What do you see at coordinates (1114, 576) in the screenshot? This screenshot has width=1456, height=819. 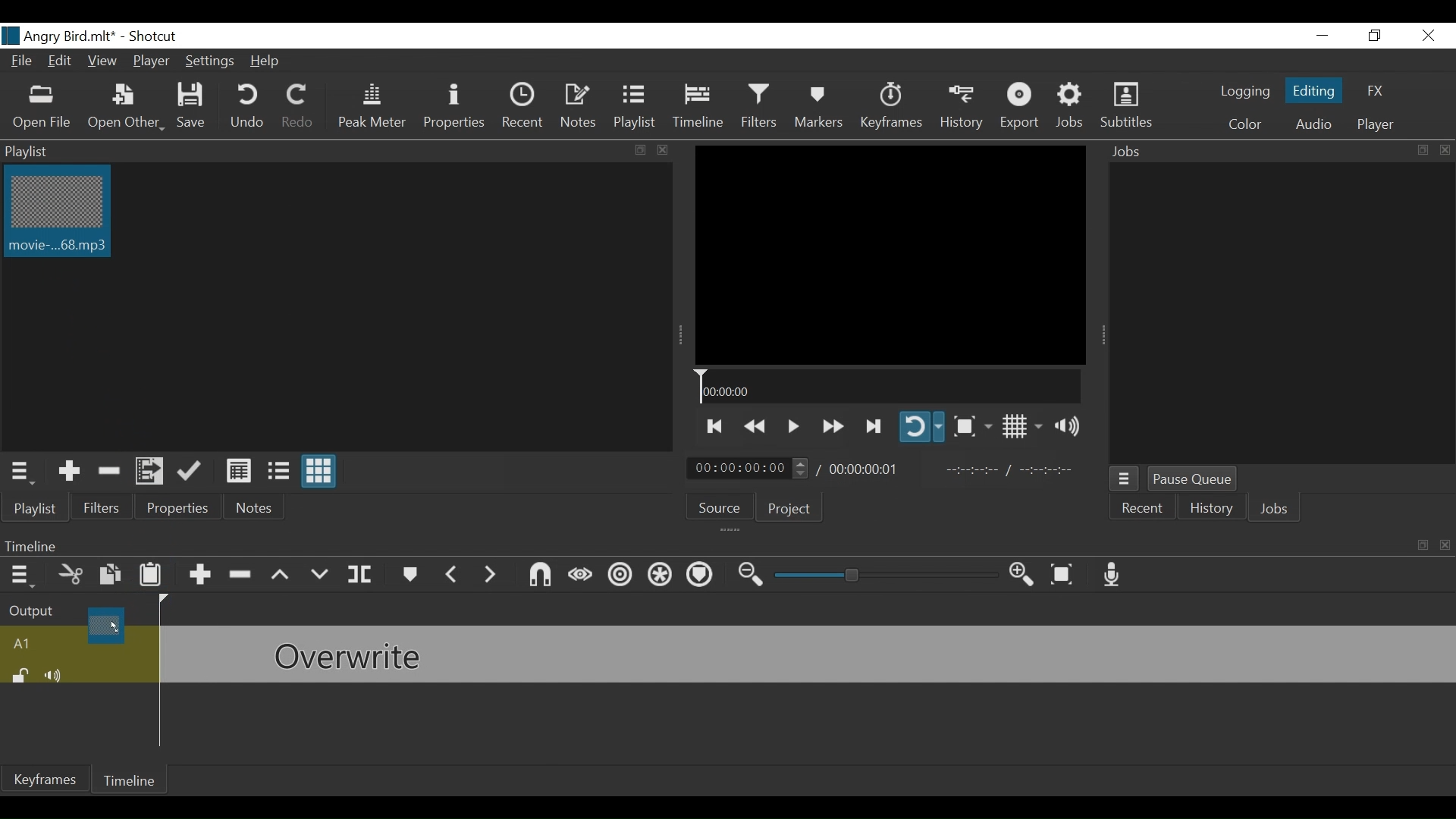 I see `Record audio` at bounding box center [1114, 576].